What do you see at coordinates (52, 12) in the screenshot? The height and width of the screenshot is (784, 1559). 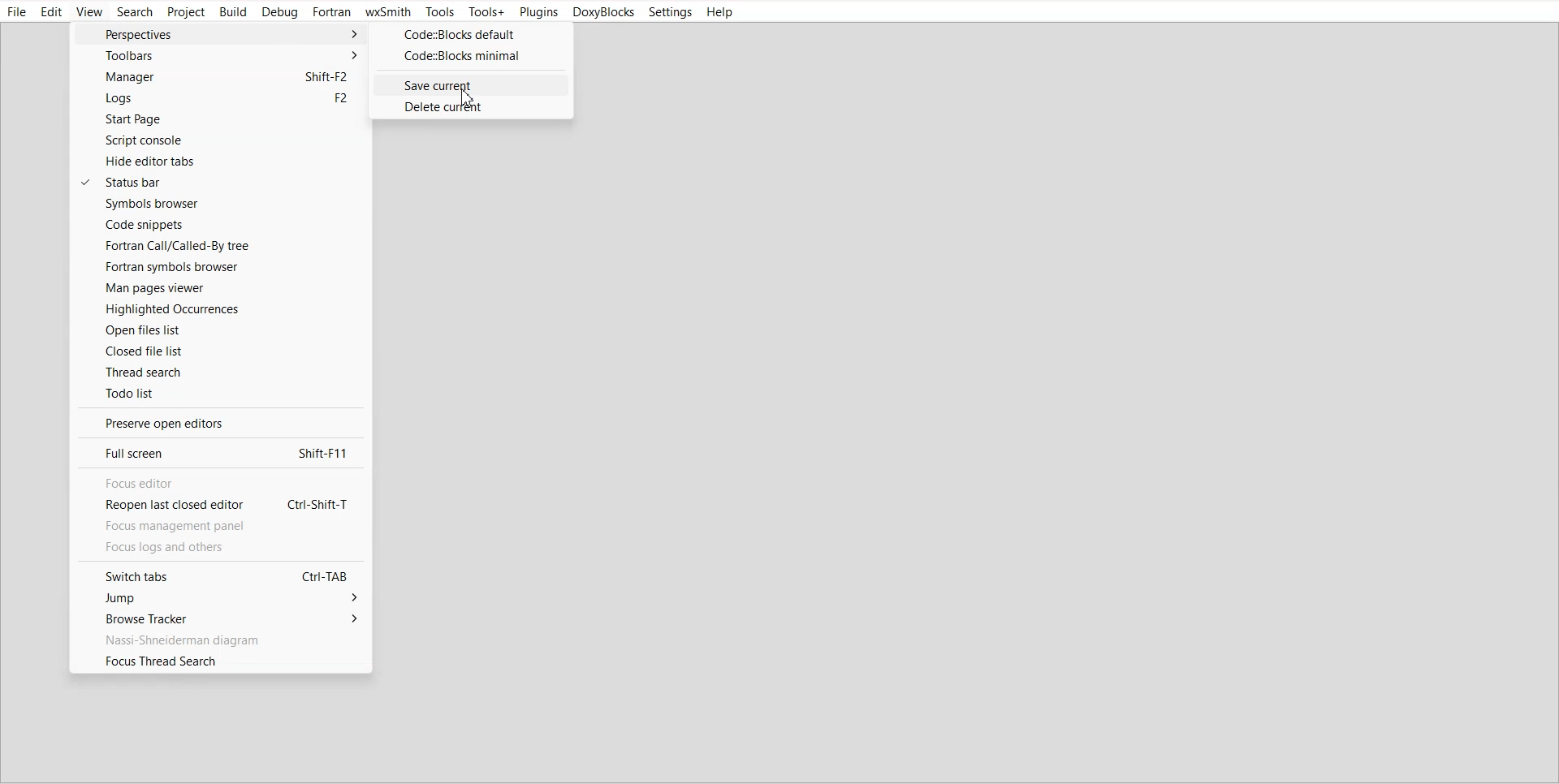 I see `Edit` at bounding box center [52, 12].